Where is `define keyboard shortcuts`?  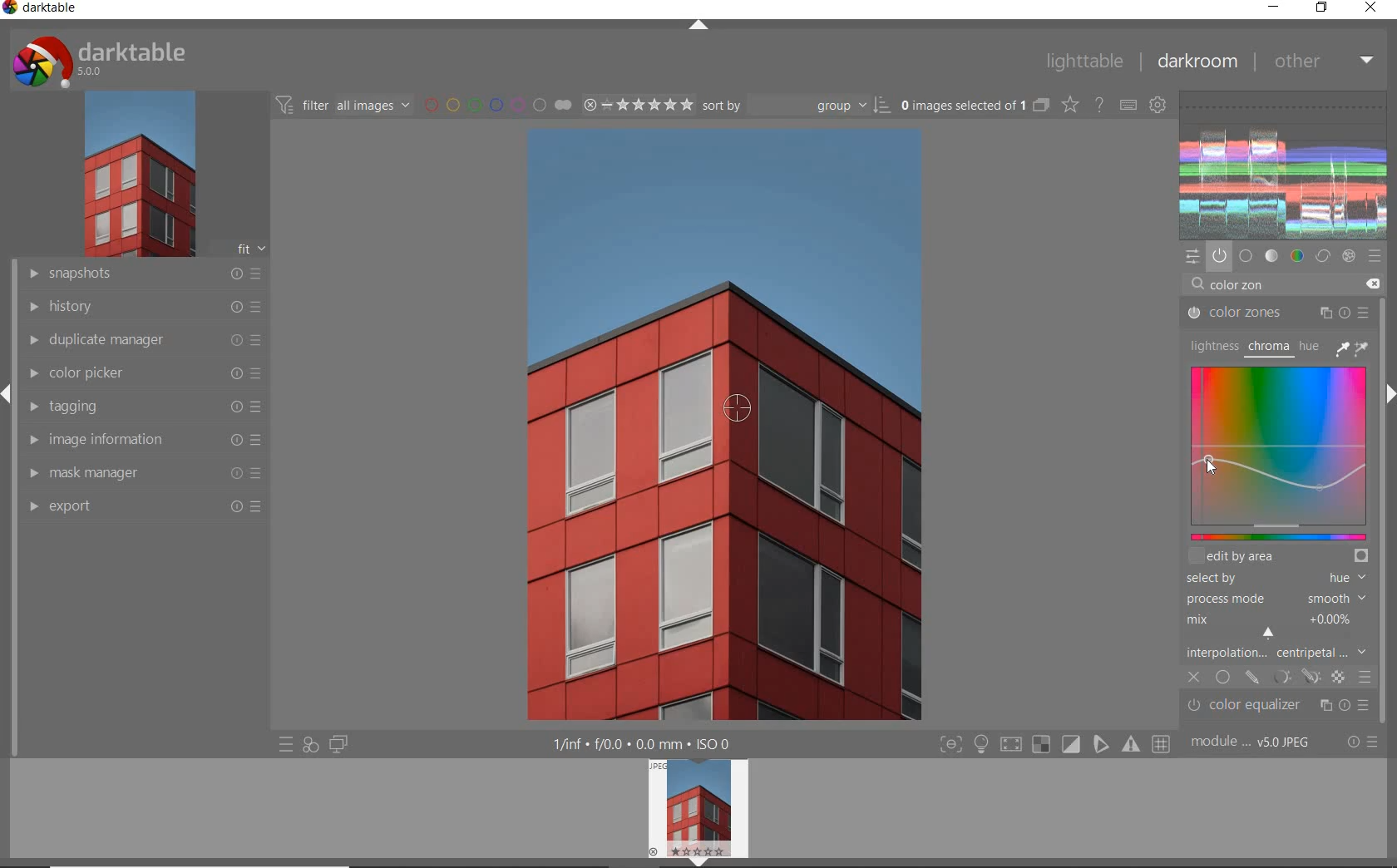
define keyboard shortcuts is located at coordinates (1129, 105).